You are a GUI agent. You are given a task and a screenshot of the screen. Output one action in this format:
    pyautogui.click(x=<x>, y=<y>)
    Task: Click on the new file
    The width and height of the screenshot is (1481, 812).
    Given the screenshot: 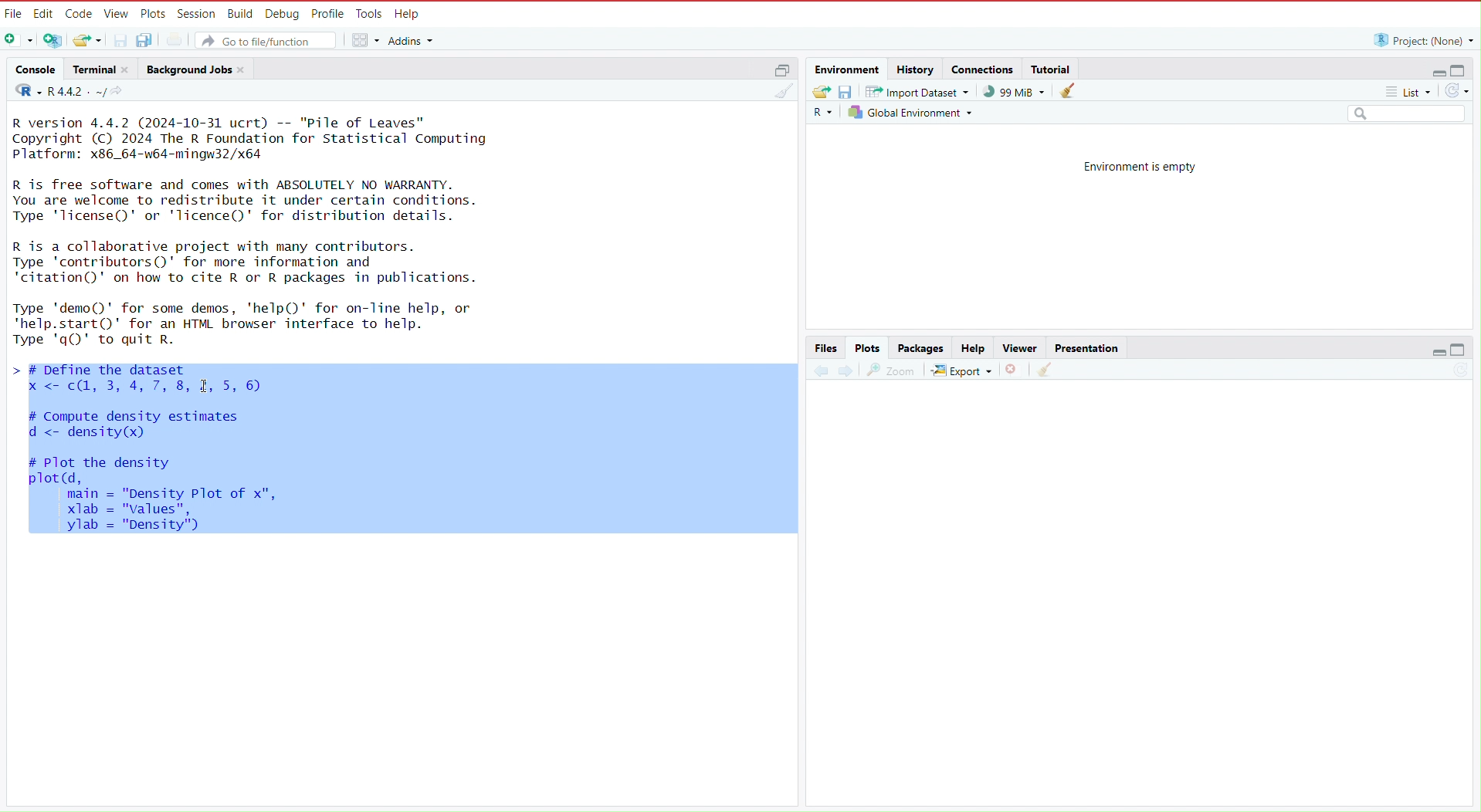 What is the action you would take?
    pyautogui.click(x=18, y=39)
    